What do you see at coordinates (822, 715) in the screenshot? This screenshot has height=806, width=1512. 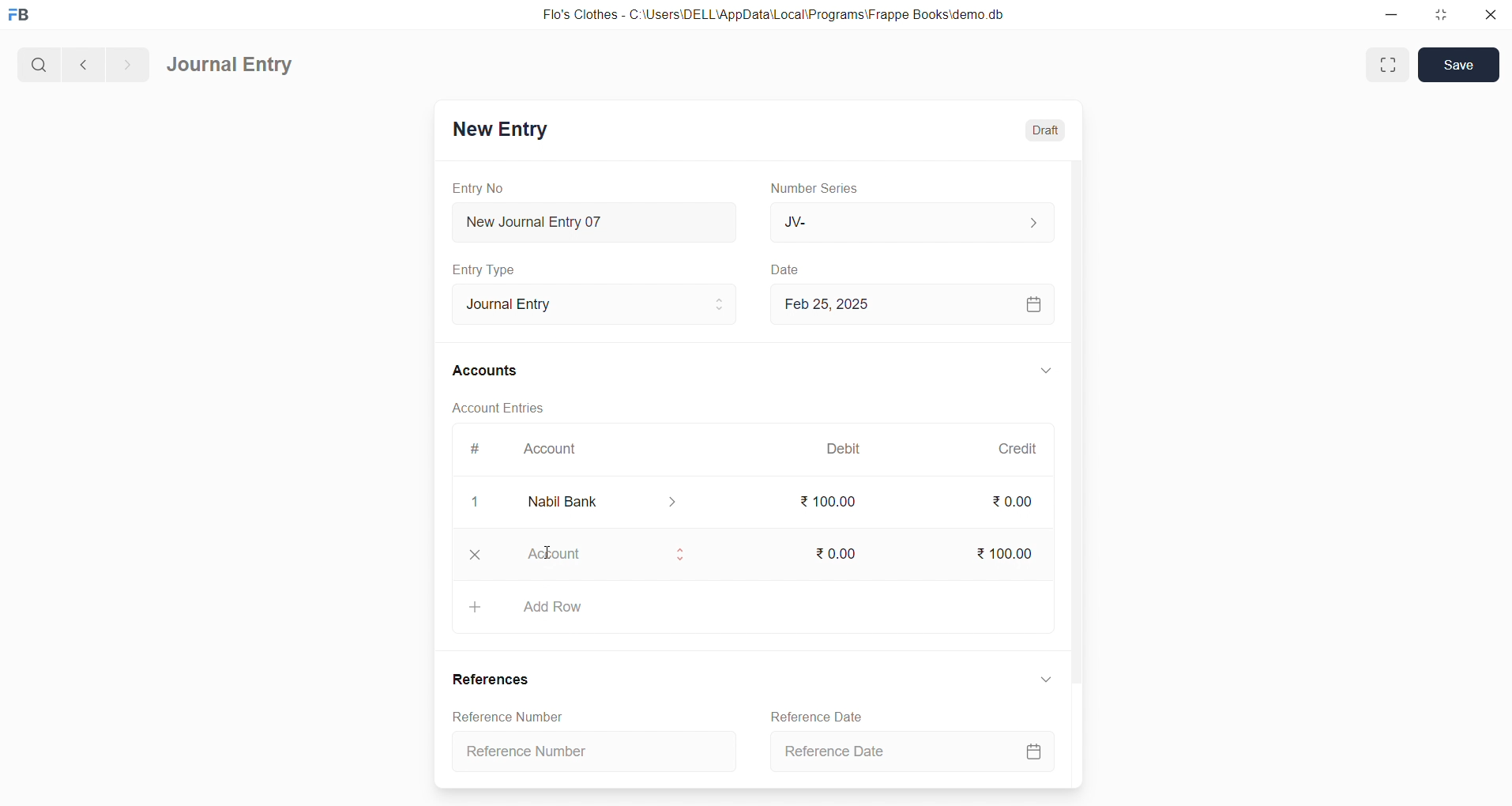 I see `Reference Date` at bounding box center [822, 715].